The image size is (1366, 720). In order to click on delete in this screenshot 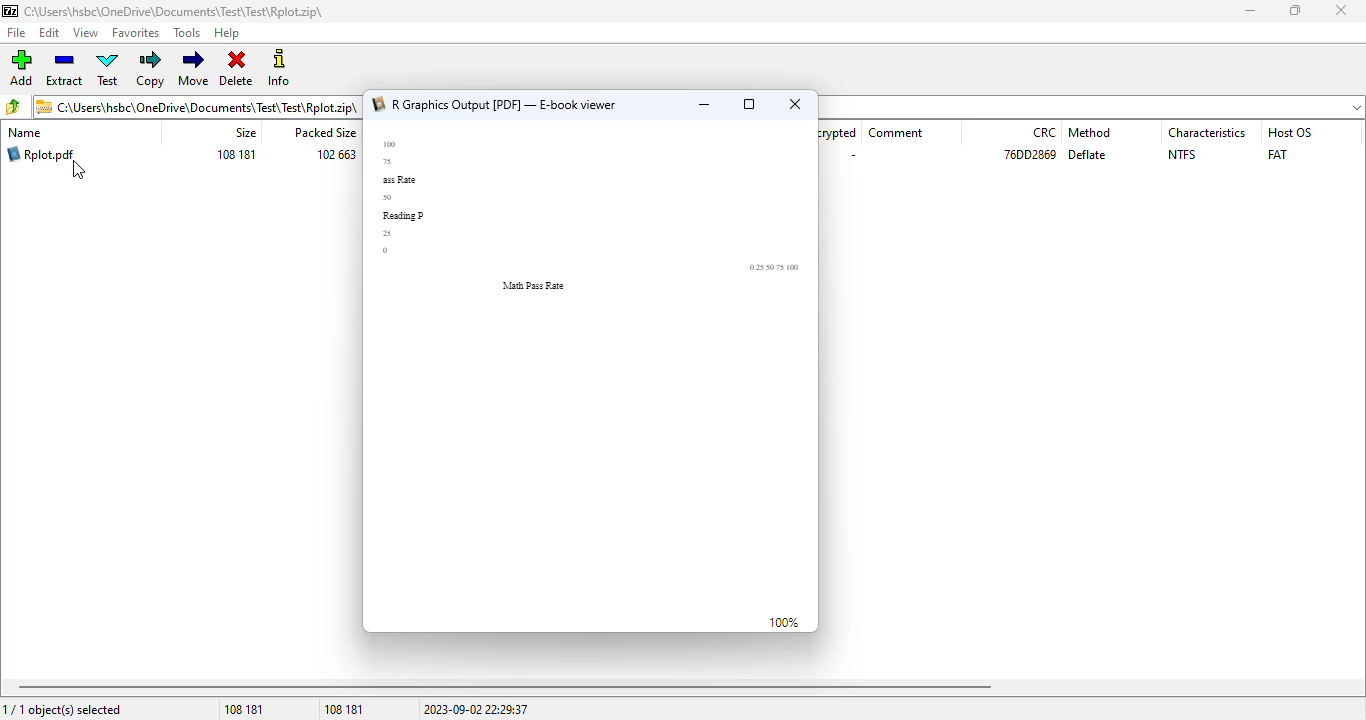, I will do `click(236, 66)`.